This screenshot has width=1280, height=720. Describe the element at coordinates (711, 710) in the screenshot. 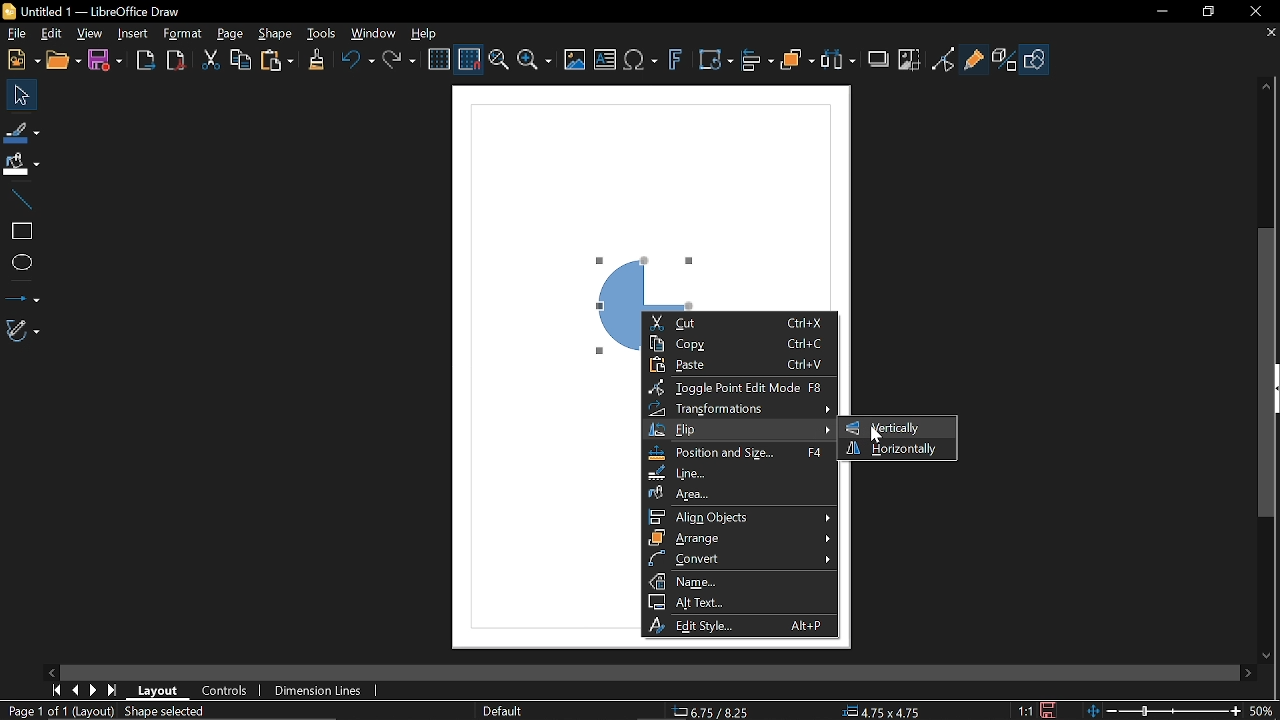

I see `6.75/8.25(Cursor Position)` at that location.